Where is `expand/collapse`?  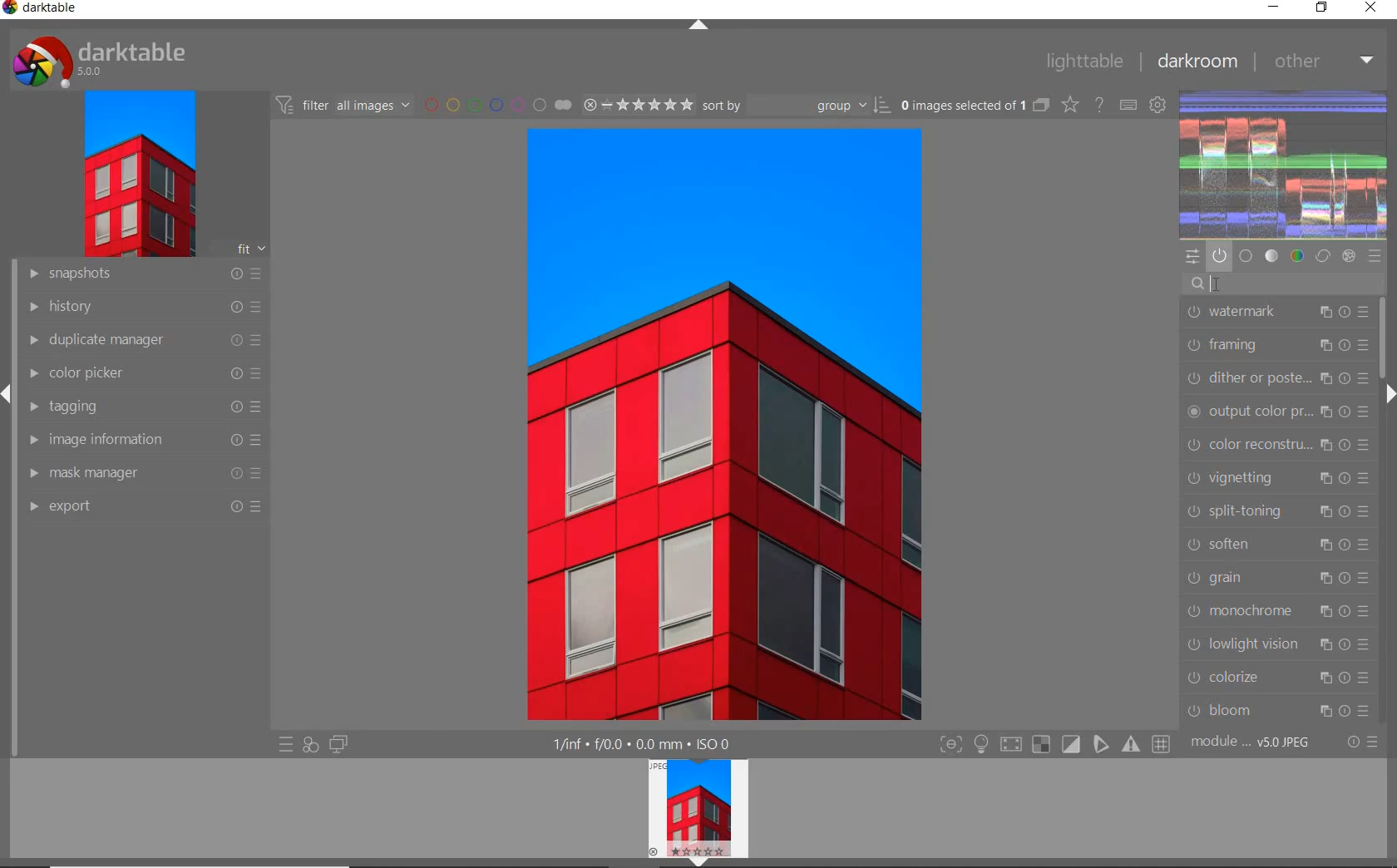
expand/collapse is located at coordinates (1389, 393).